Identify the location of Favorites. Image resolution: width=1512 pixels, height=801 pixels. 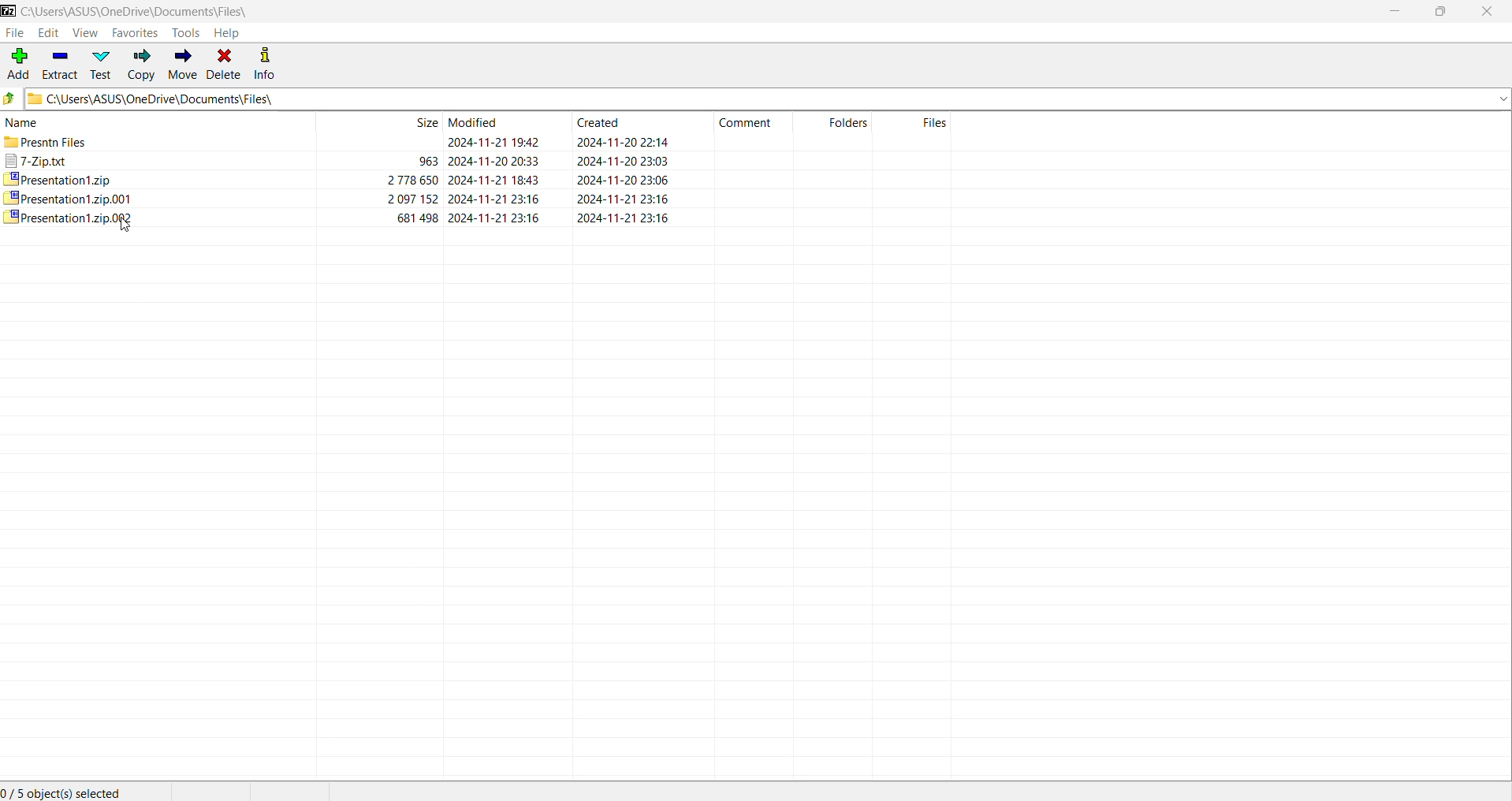
(135, 32).